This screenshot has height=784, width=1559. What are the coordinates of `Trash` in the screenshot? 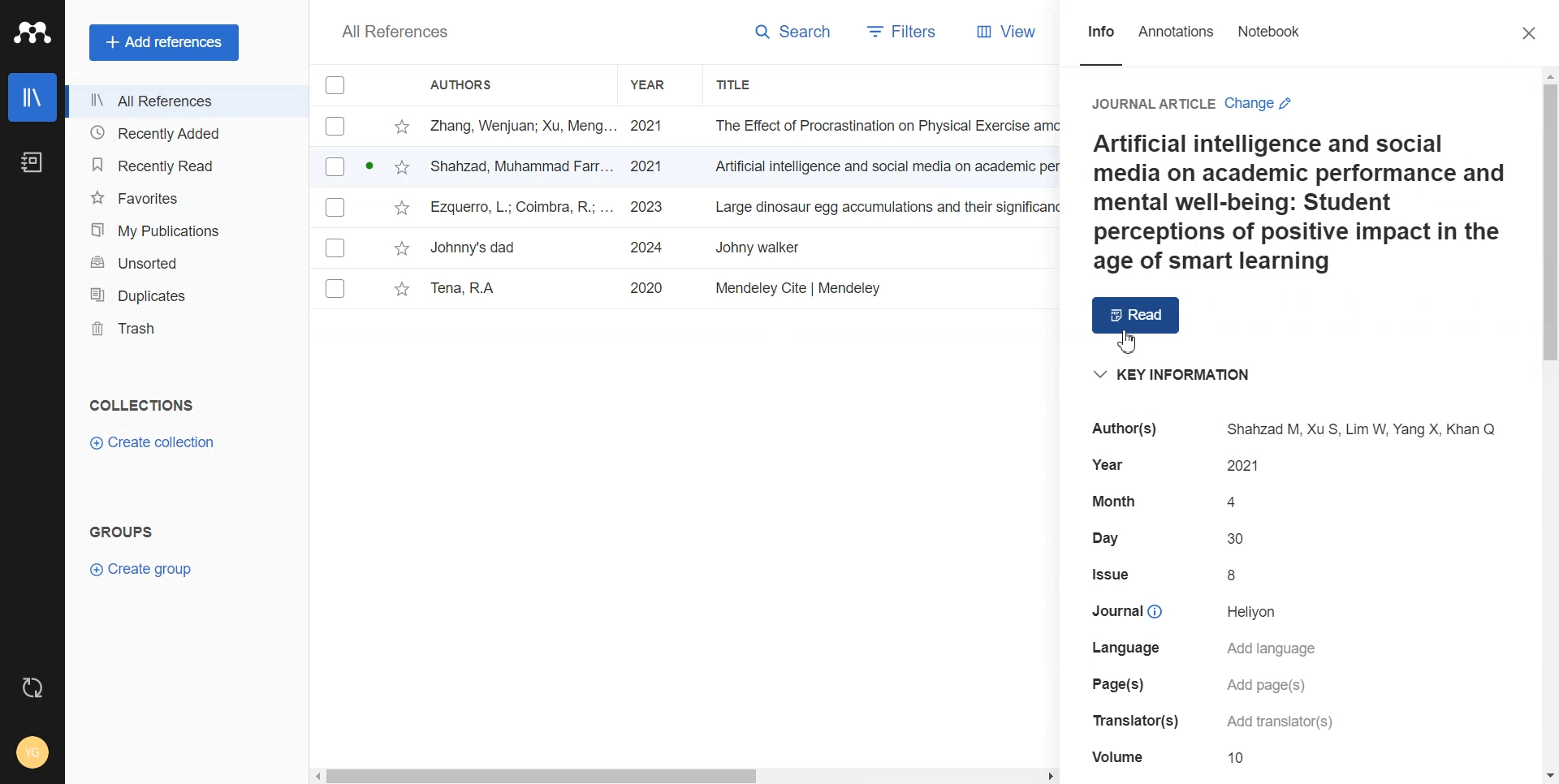 It's located at (184, 329).